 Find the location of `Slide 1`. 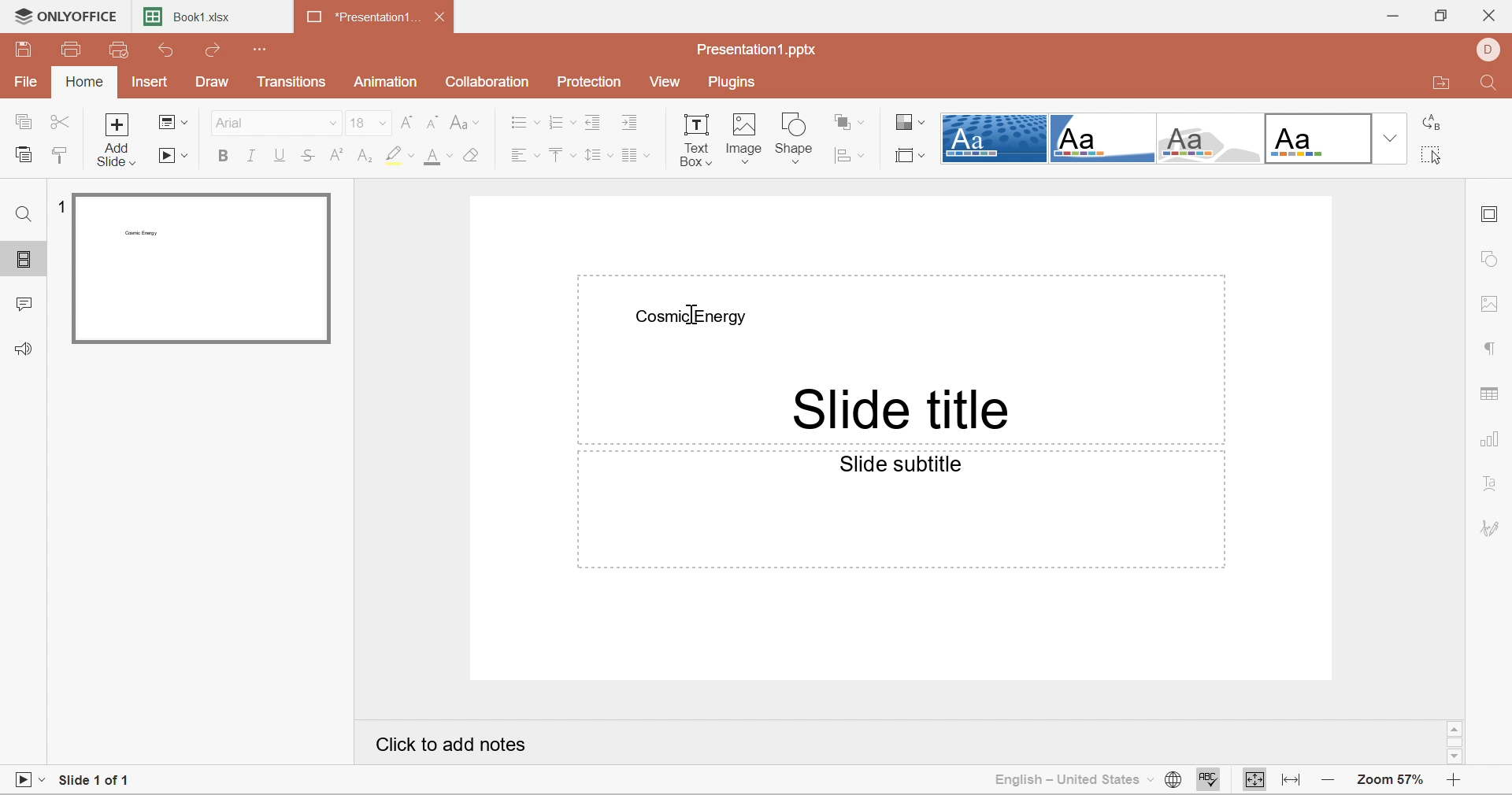

Slide 1 is located at coordinates (200, 269).